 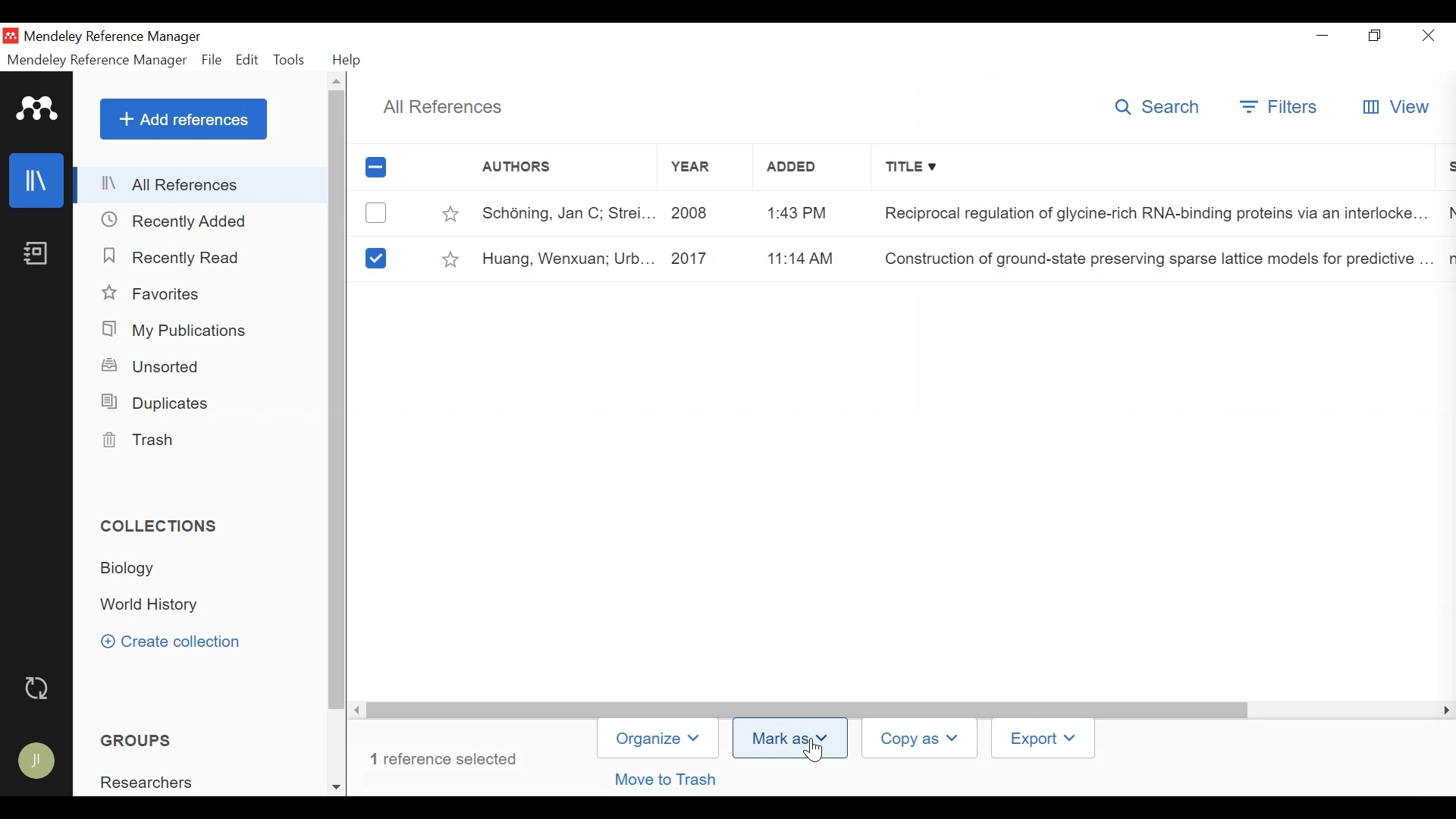 What do you see at coordinates (338, 401) in the screenshot?
I see `Vertical Scroll bar` at bounding box center [338, 401].